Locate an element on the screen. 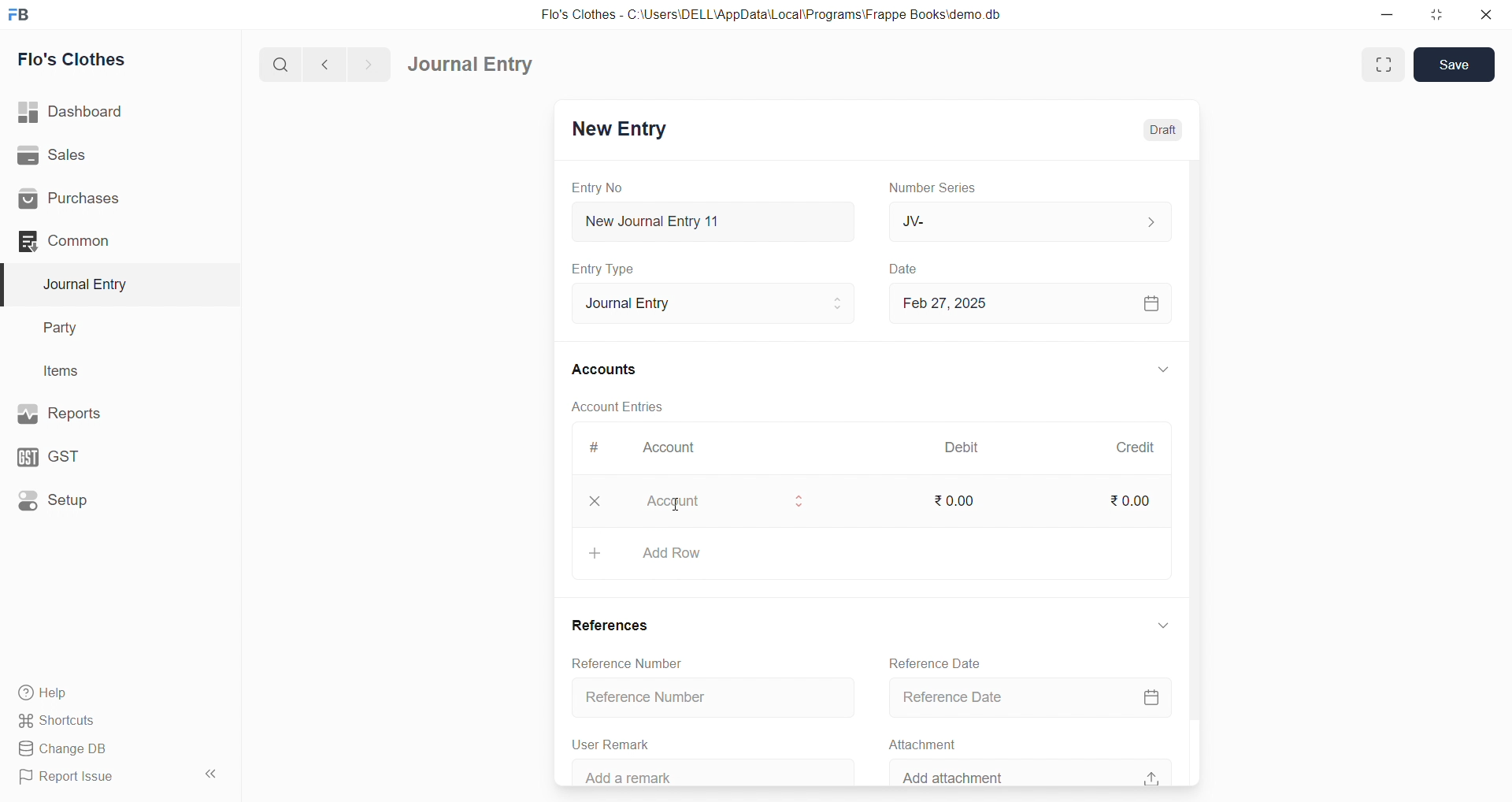 The height and width of the screenshot is (802, 1512). Save is located at coordinates (1455, 65).